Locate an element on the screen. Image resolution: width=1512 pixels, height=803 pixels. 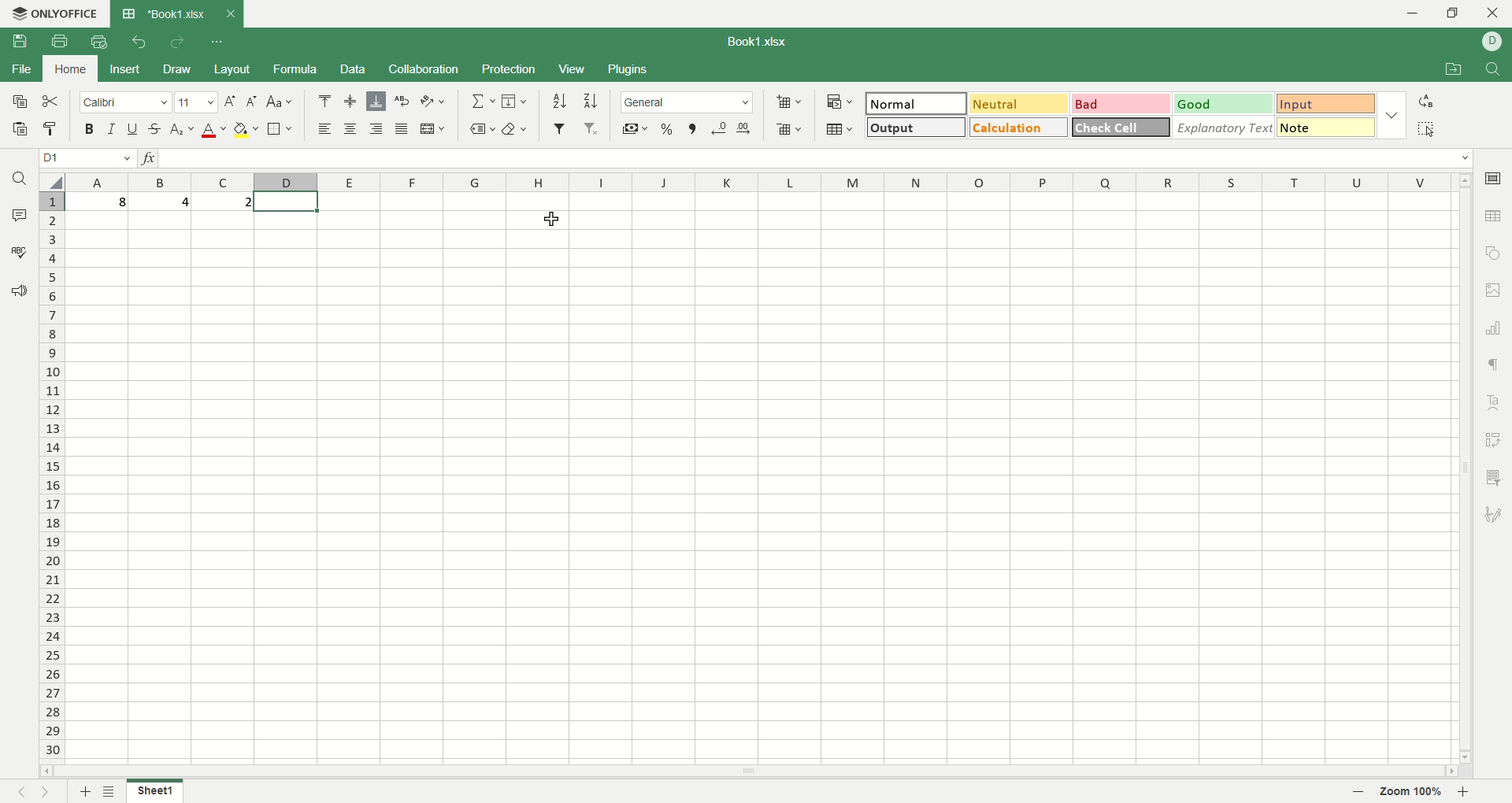
new sheet is located at coordinates (83, 792).